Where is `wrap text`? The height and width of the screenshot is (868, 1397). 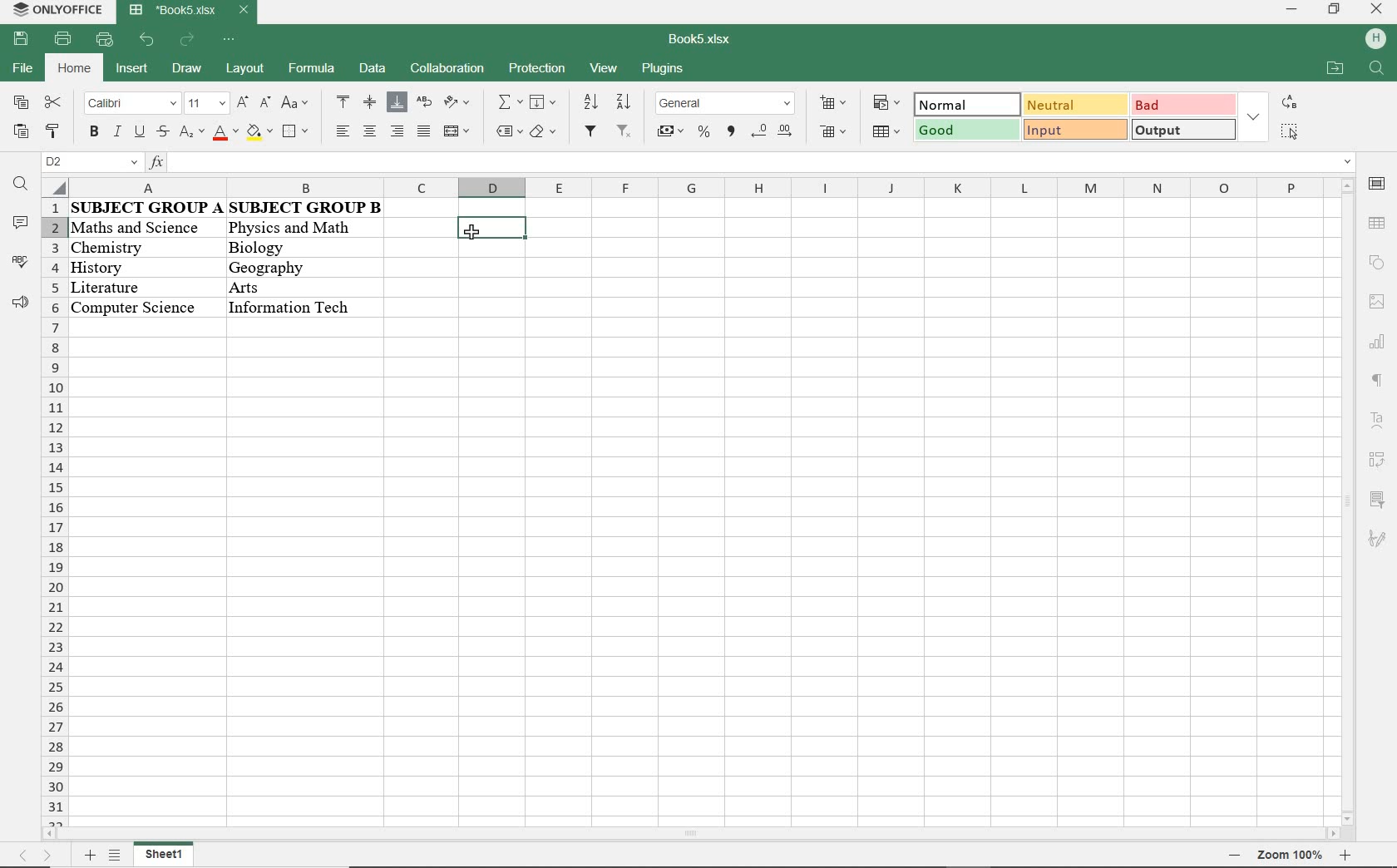
wrap text is located at coordinates (426, 104).